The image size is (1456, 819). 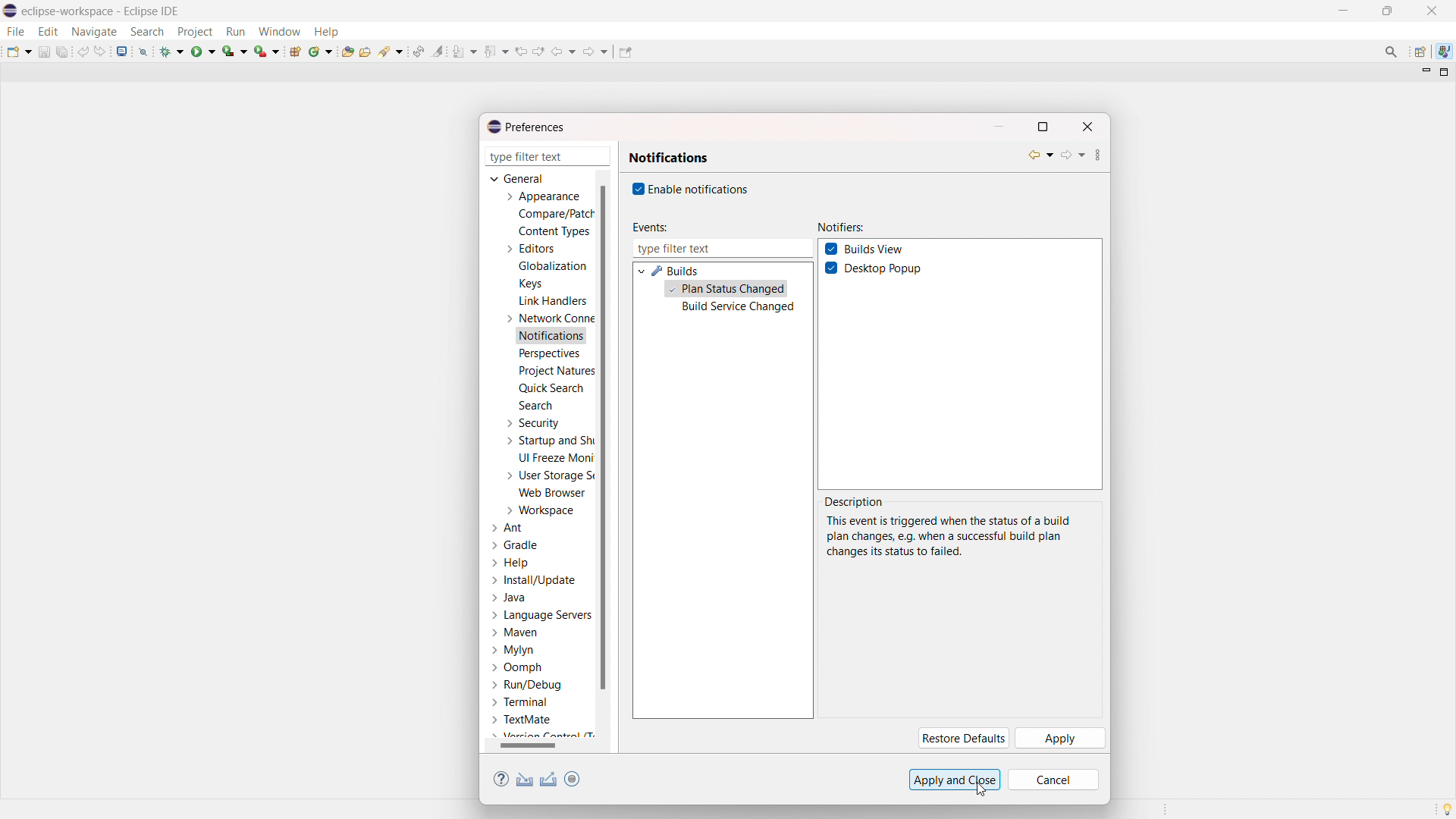 I want to click on type filter text, so click(x=549, y=156).